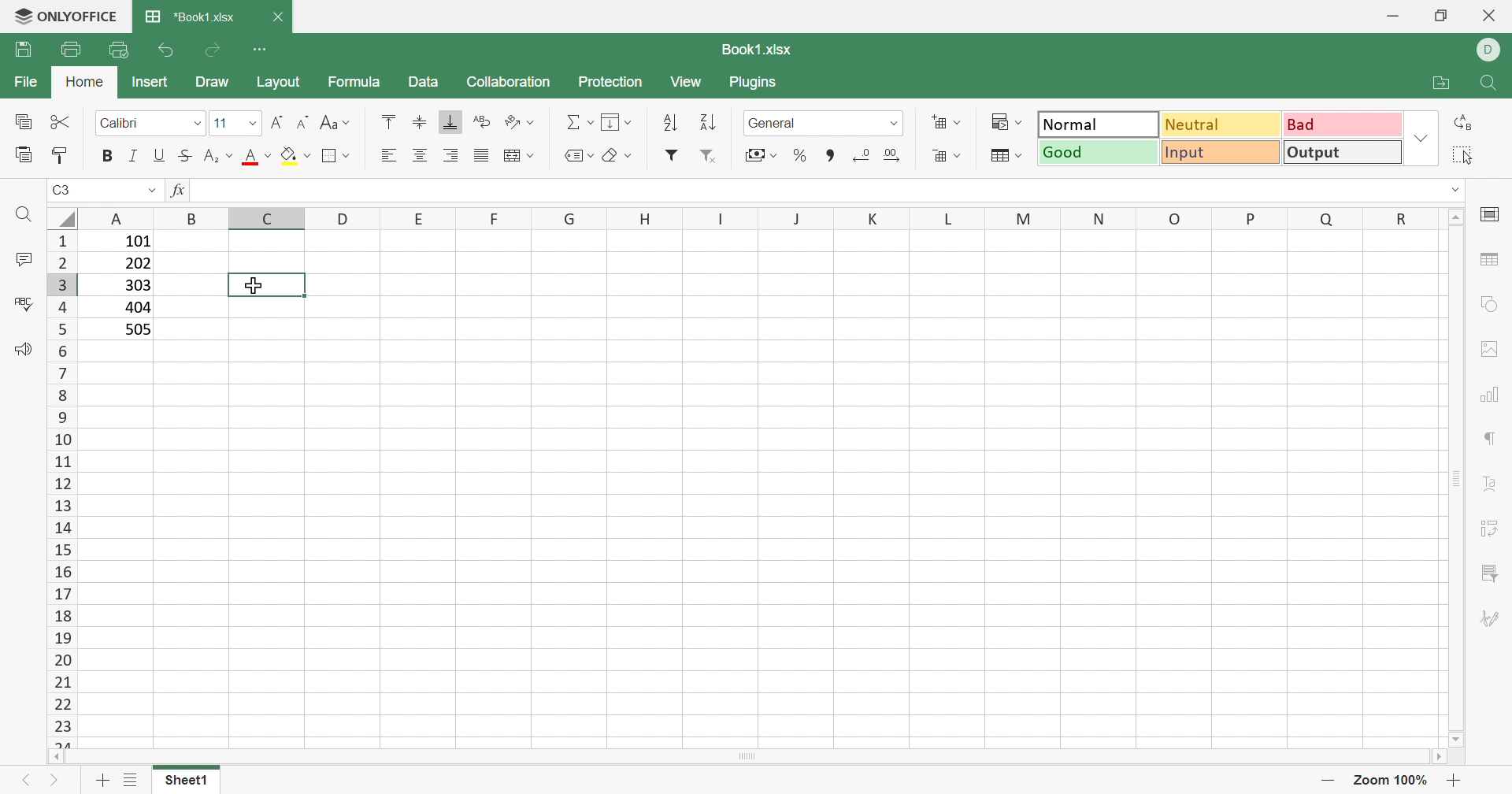 This screenshot has width=1512, height=794. What do you see at coordinates (136, 286) in the screenshot?
I see `303` at bounding box center [136, 286].